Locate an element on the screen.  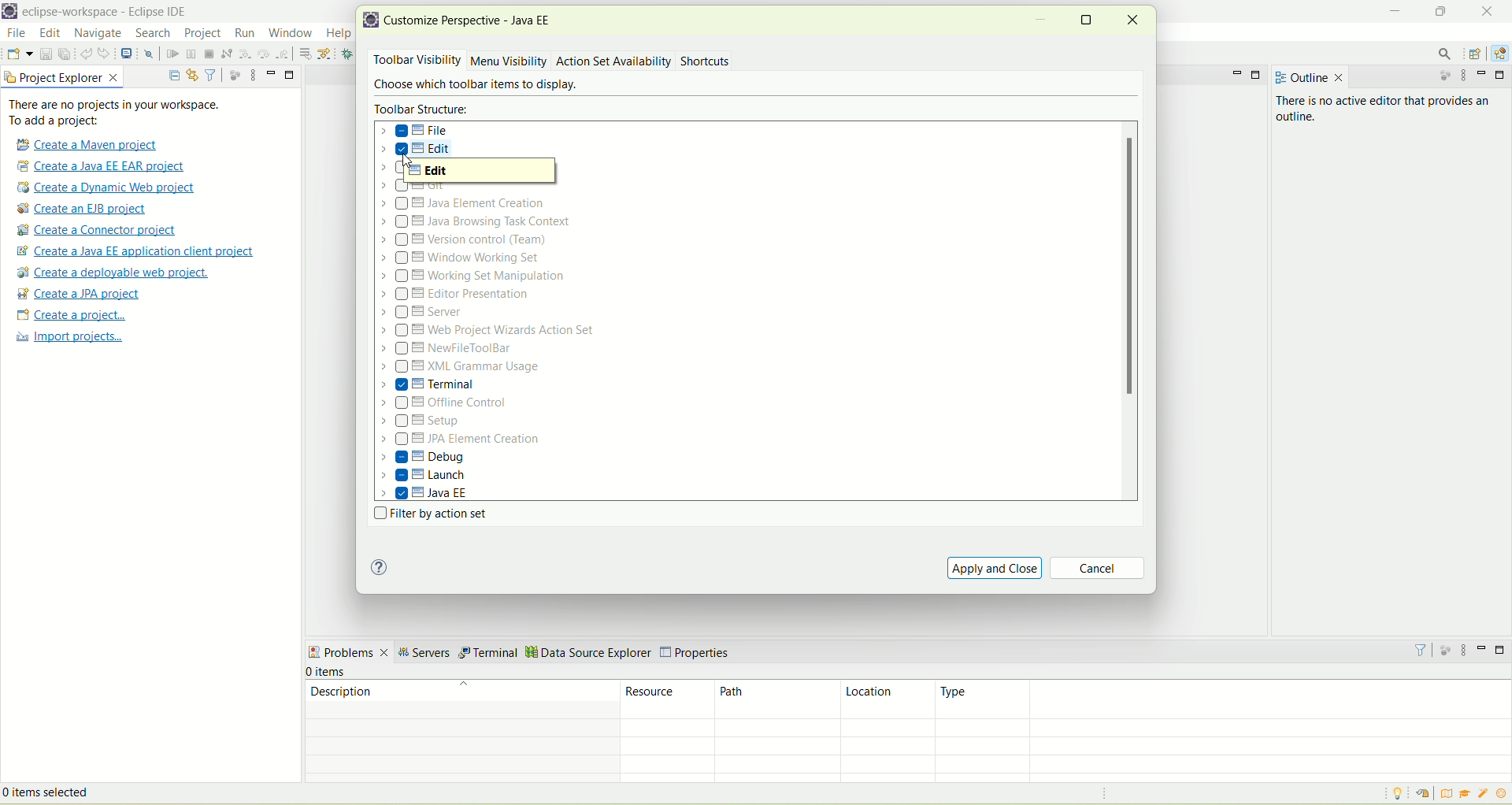
action set is located at coordinates (582, 60).